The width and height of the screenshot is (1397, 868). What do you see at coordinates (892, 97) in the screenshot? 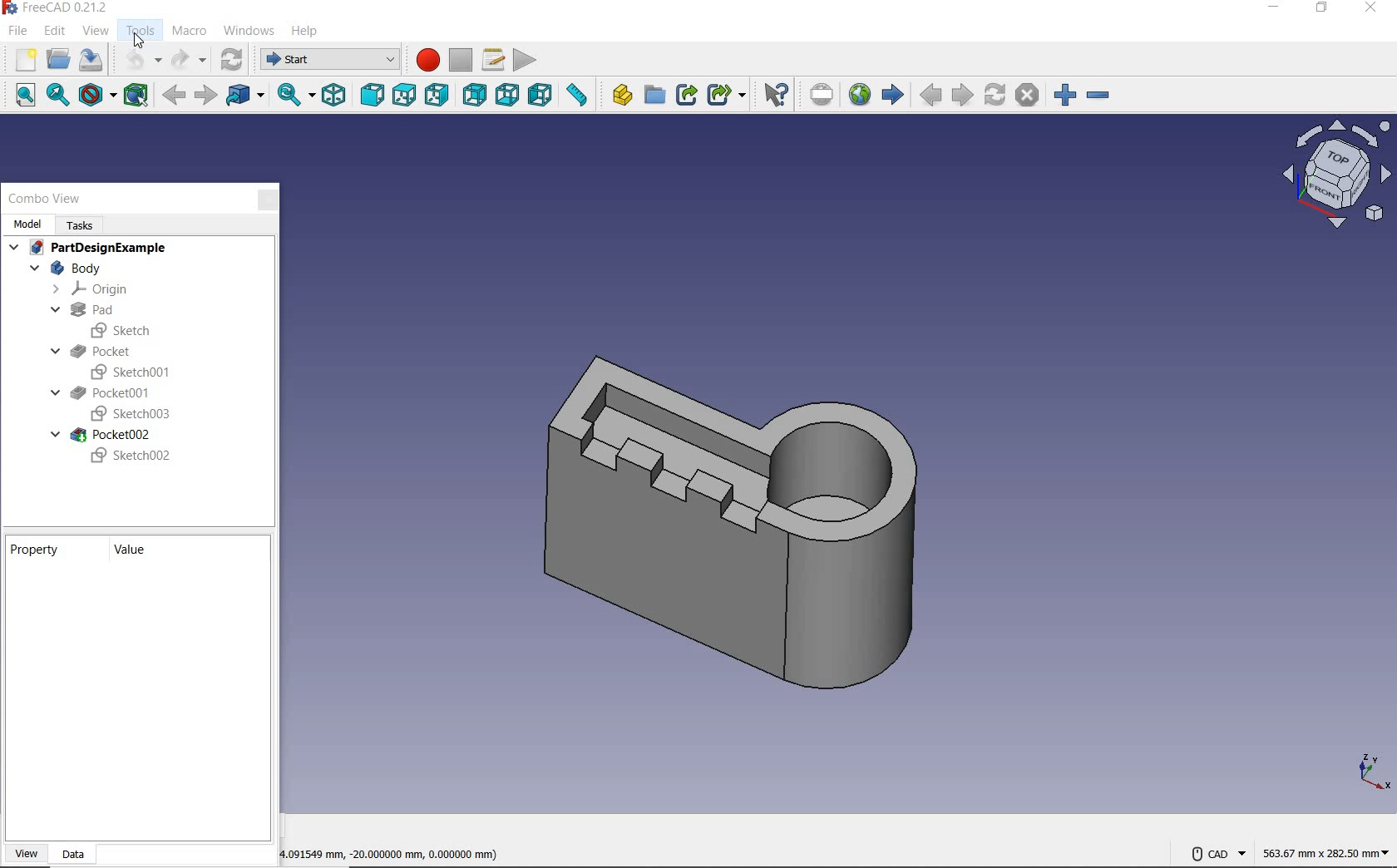
I see `Start page` at bounding box center [892, 97].